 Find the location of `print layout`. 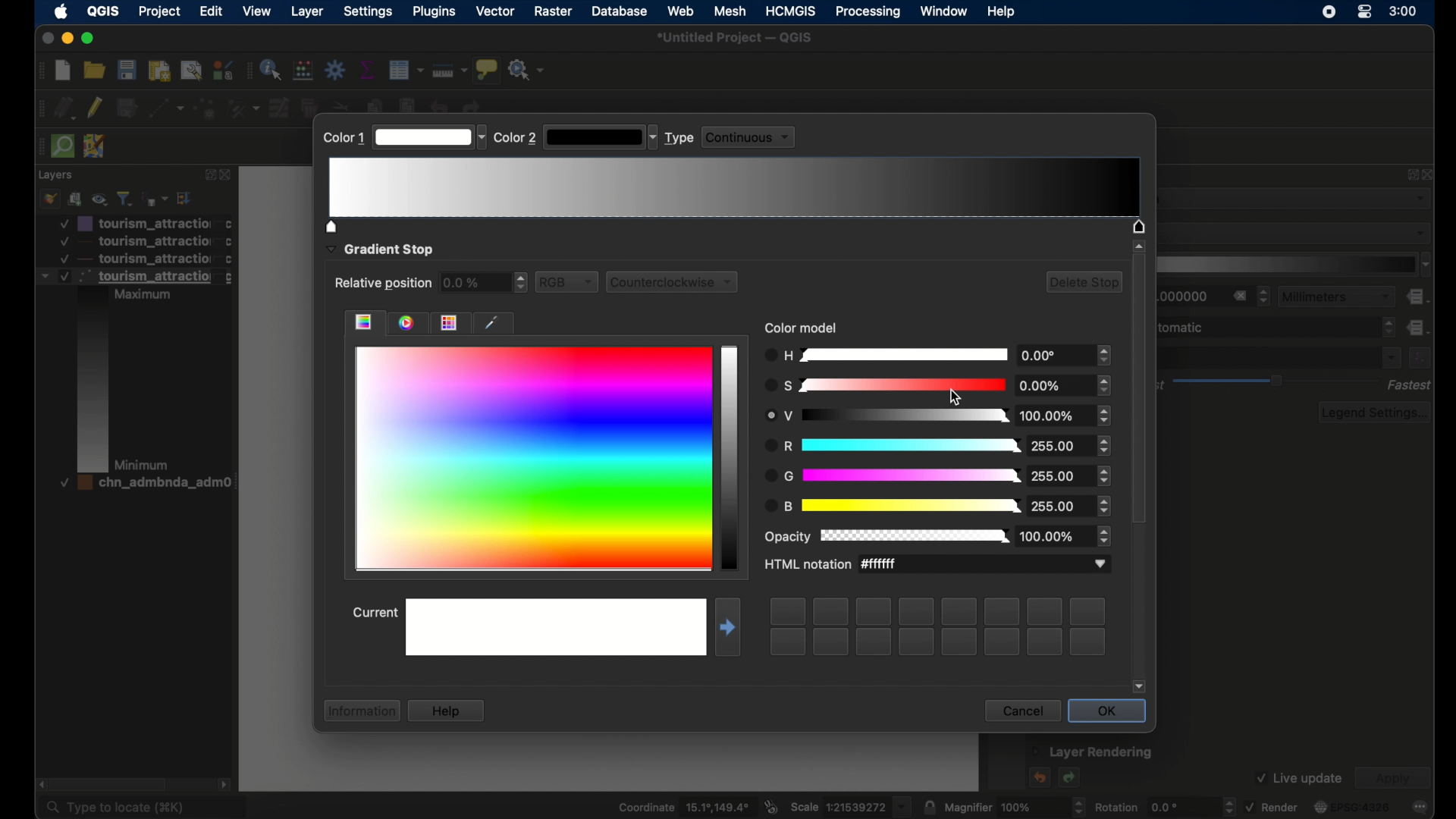

print layout is located at coordinates (160, 71).